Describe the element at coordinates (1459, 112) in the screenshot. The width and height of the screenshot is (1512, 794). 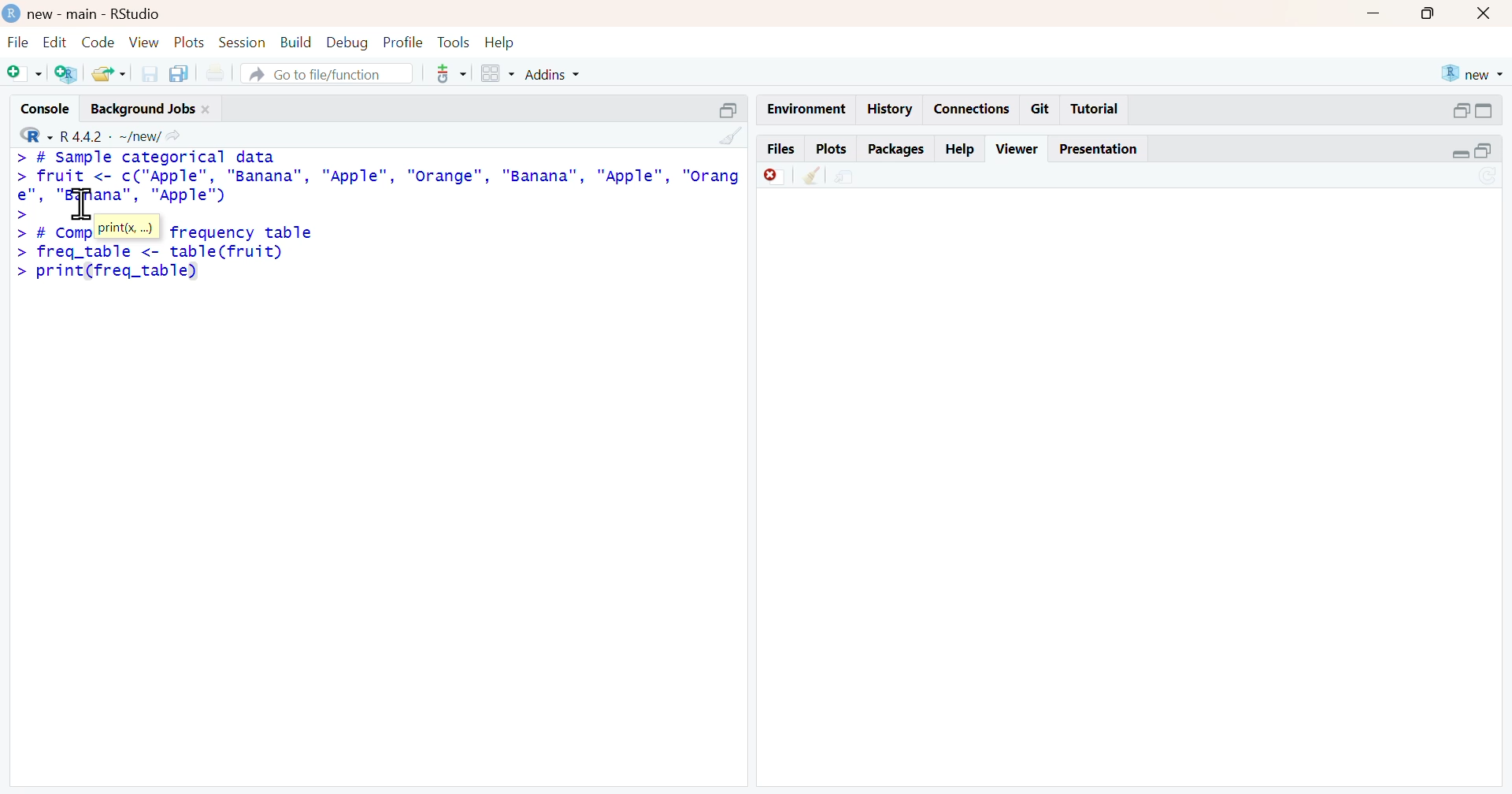
I see `expand` at that location.